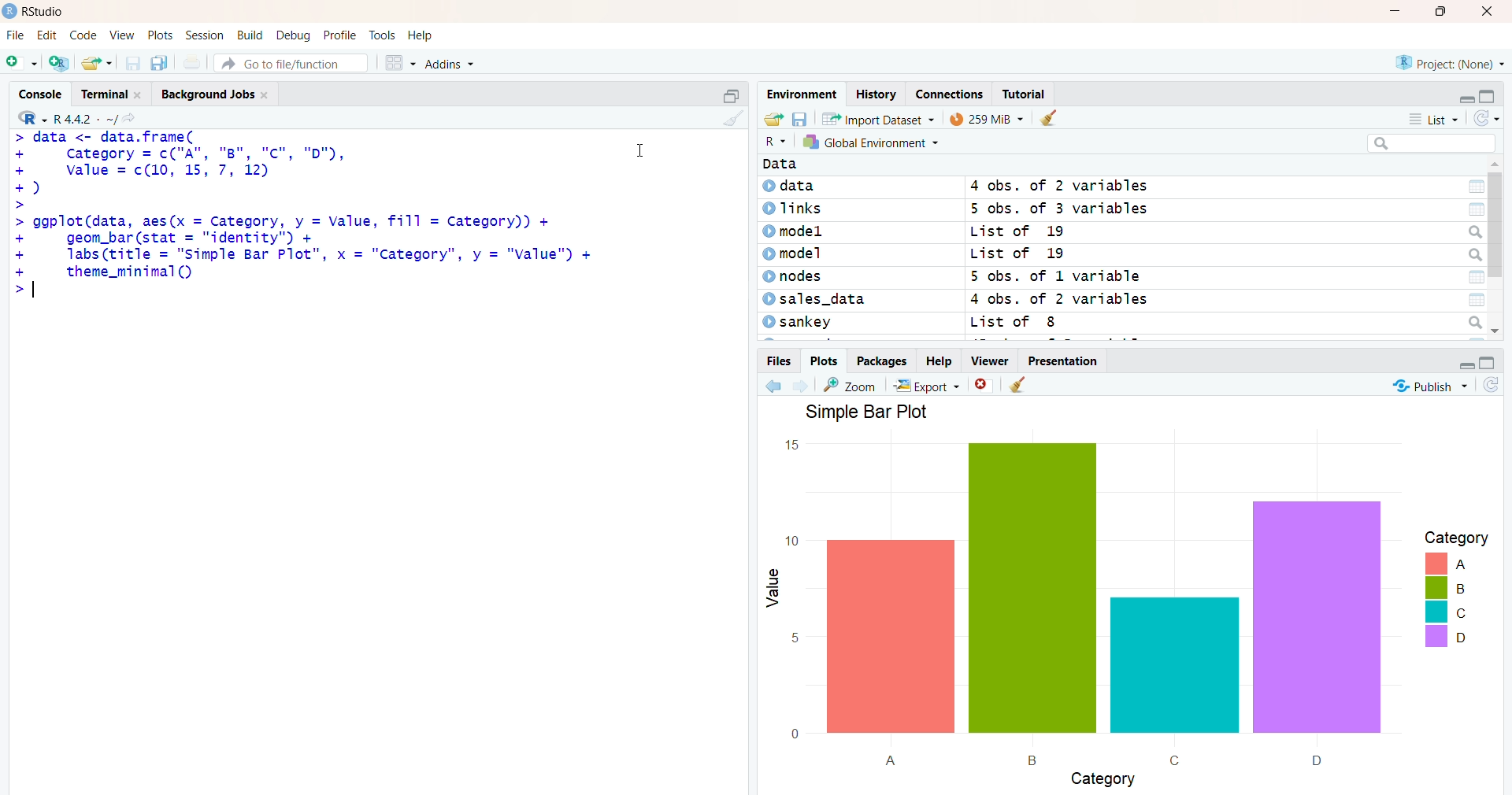  Describe the element at coordinates (1484, 11) in the screenshot. I see `Close` at that location.